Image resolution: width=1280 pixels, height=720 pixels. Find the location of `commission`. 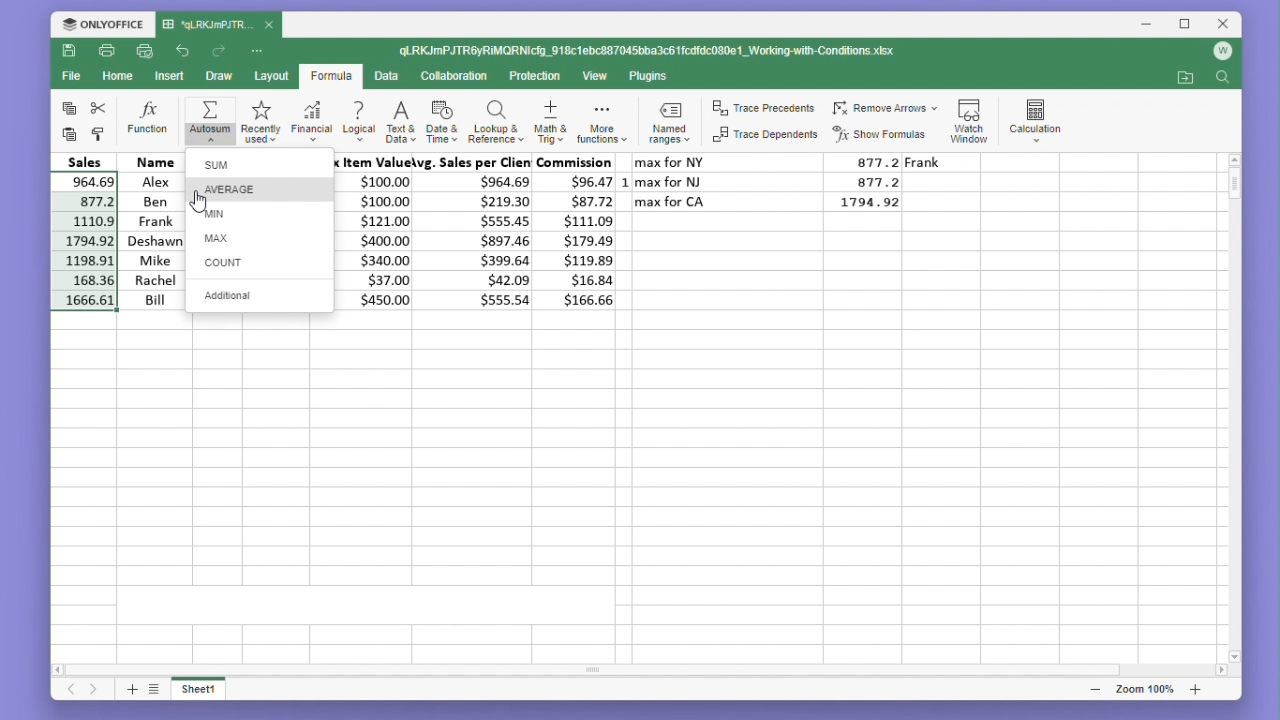

commission is located at coordinates (579, 231).